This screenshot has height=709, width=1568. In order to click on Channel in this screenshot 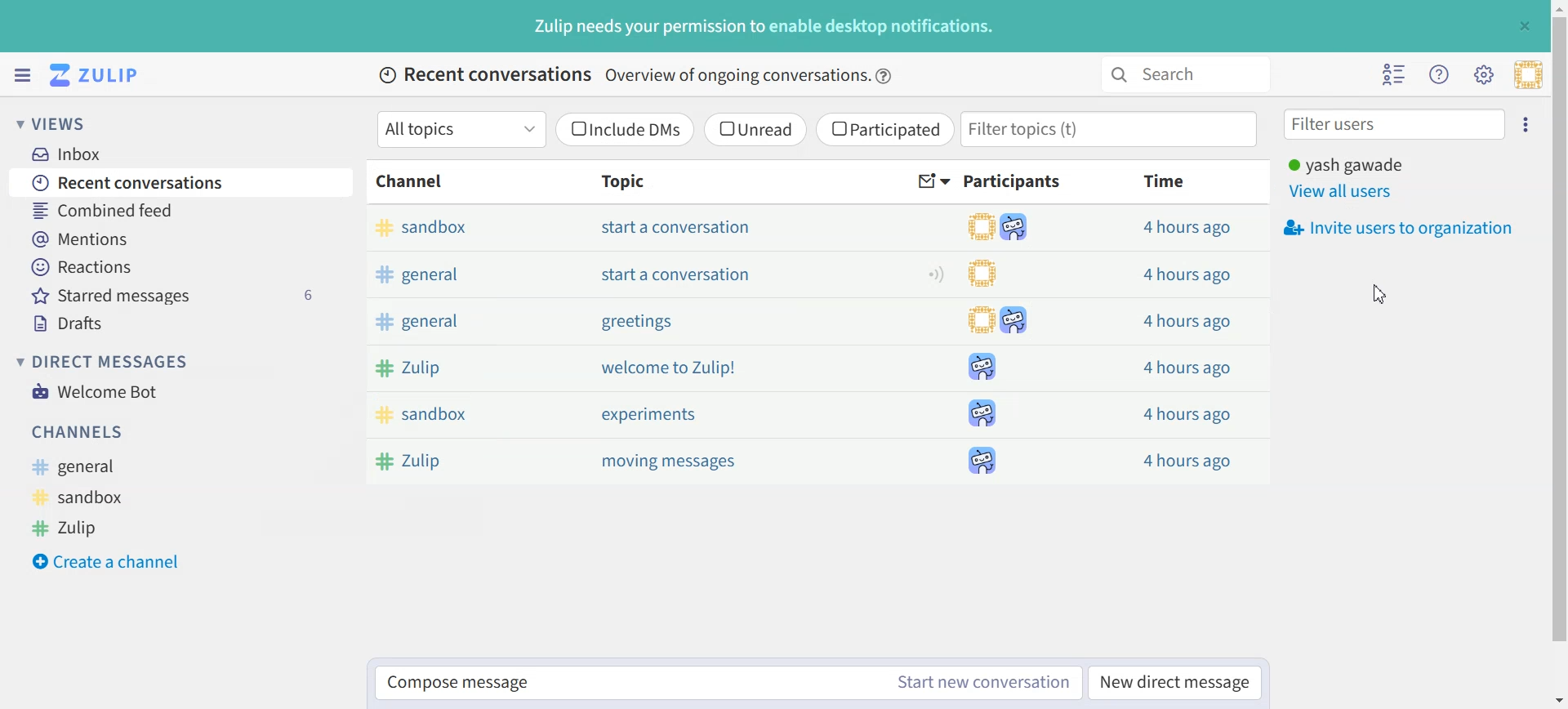, I will do `click(413, 181)`.